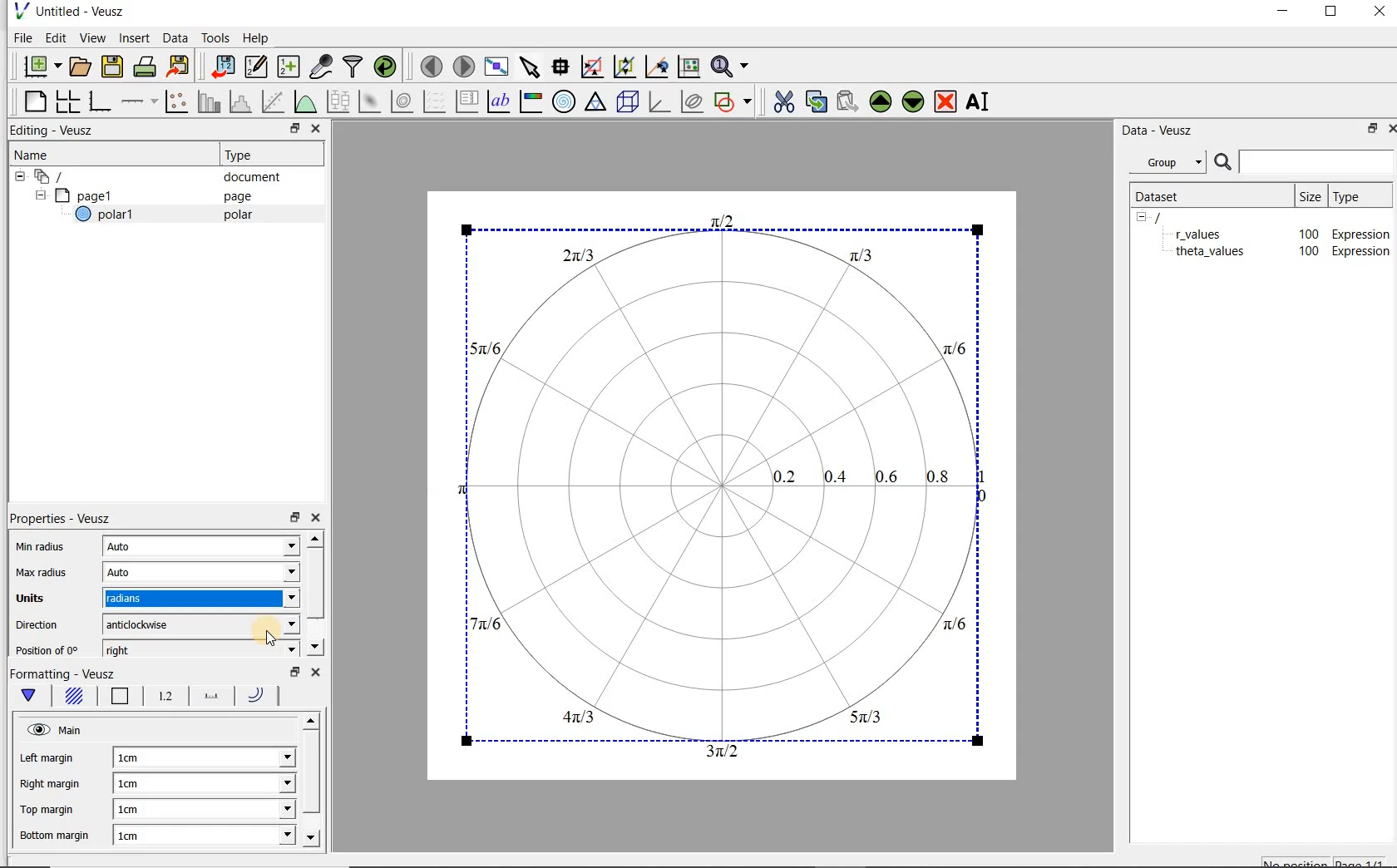 This screenshot has height=868, width=1397. I want to click on Export to graphics format, so click(179, 68).